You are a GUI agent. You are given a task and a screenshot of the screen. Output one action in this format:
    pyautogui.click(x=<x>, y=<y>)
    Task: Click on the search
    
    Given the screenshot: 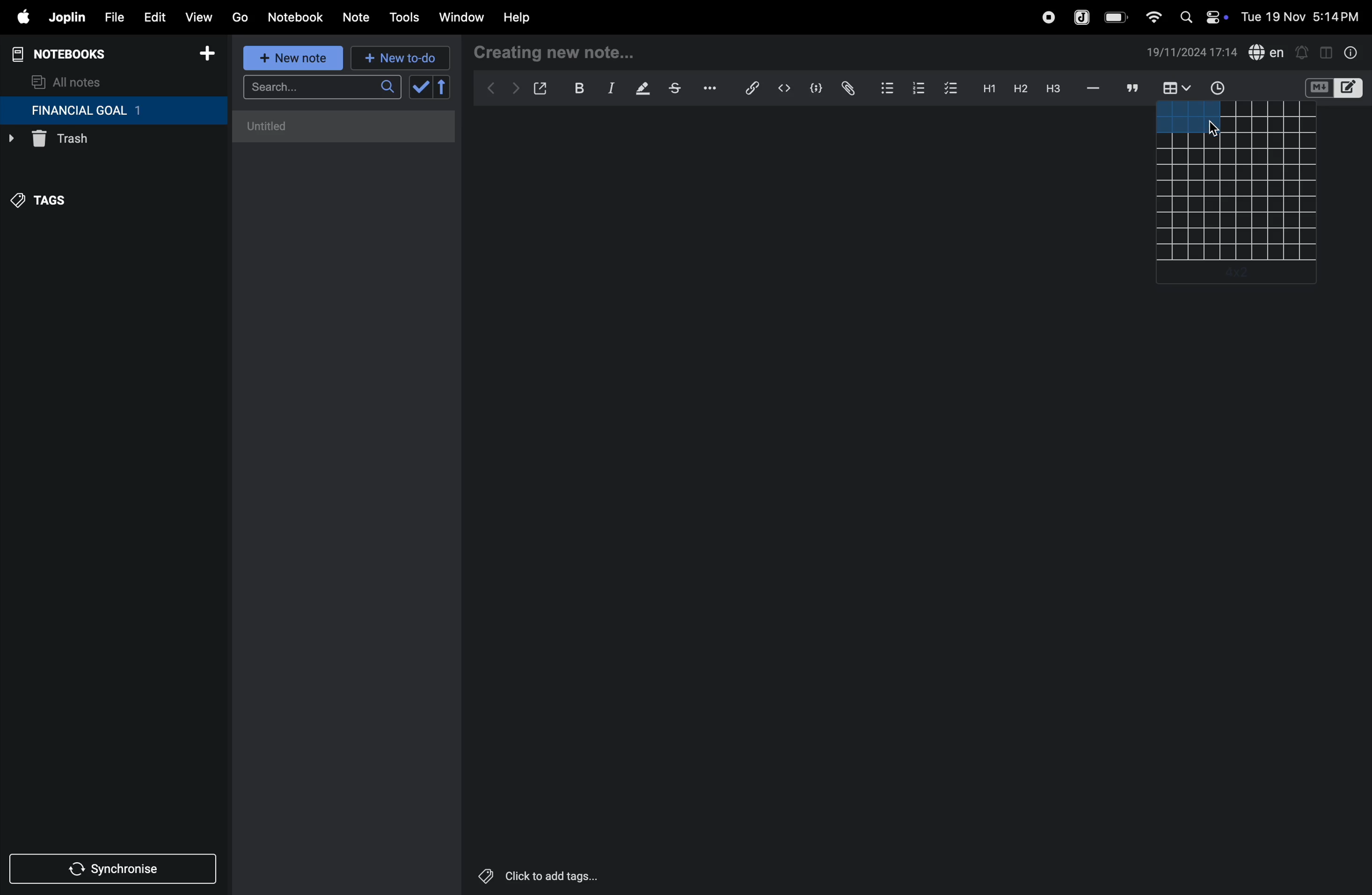 What is the action you would take?
    pyautogui.click(x=322, y=87)
    